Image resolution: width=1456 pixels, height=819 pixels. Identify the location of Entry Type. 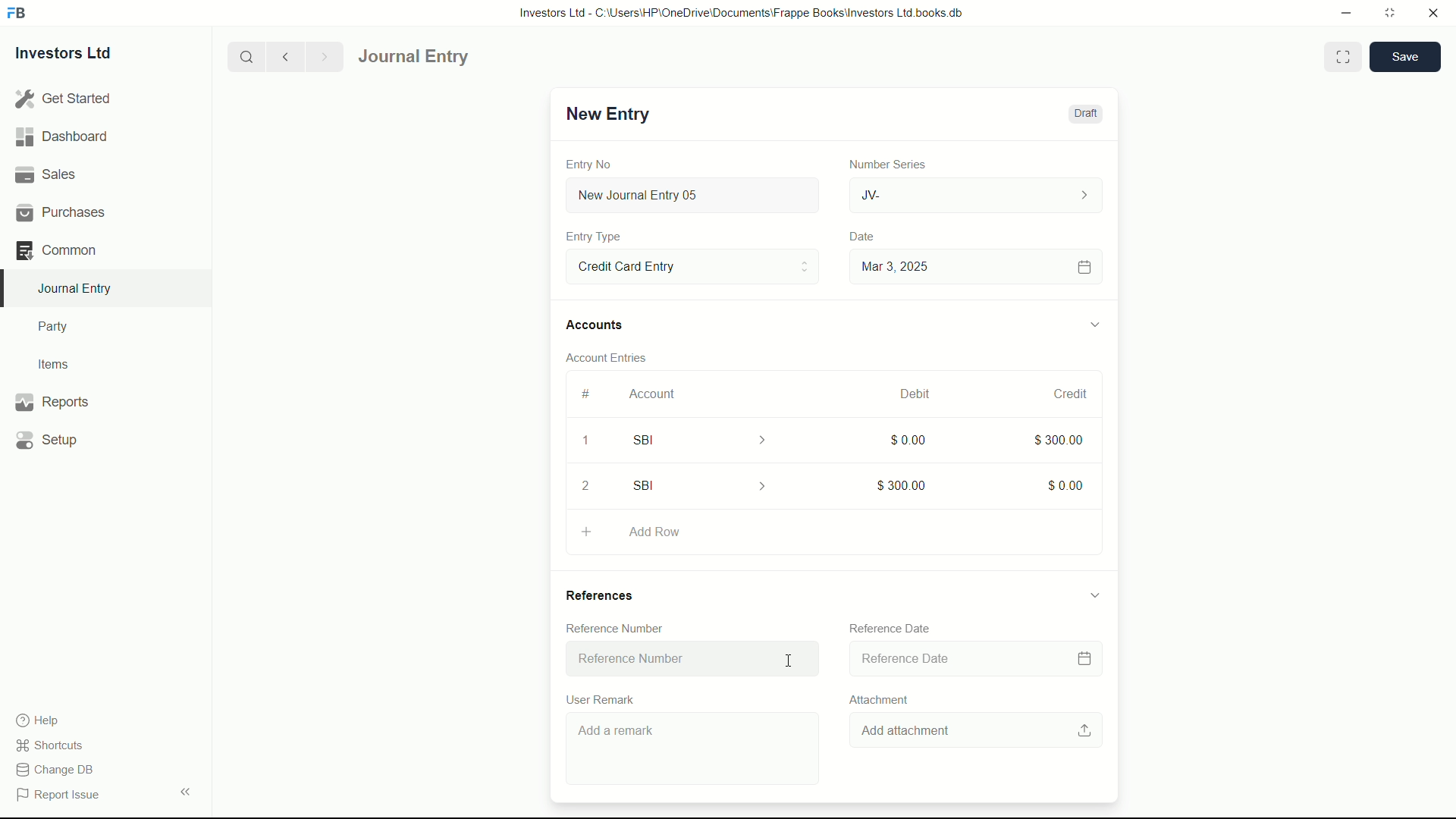
(691, 265).